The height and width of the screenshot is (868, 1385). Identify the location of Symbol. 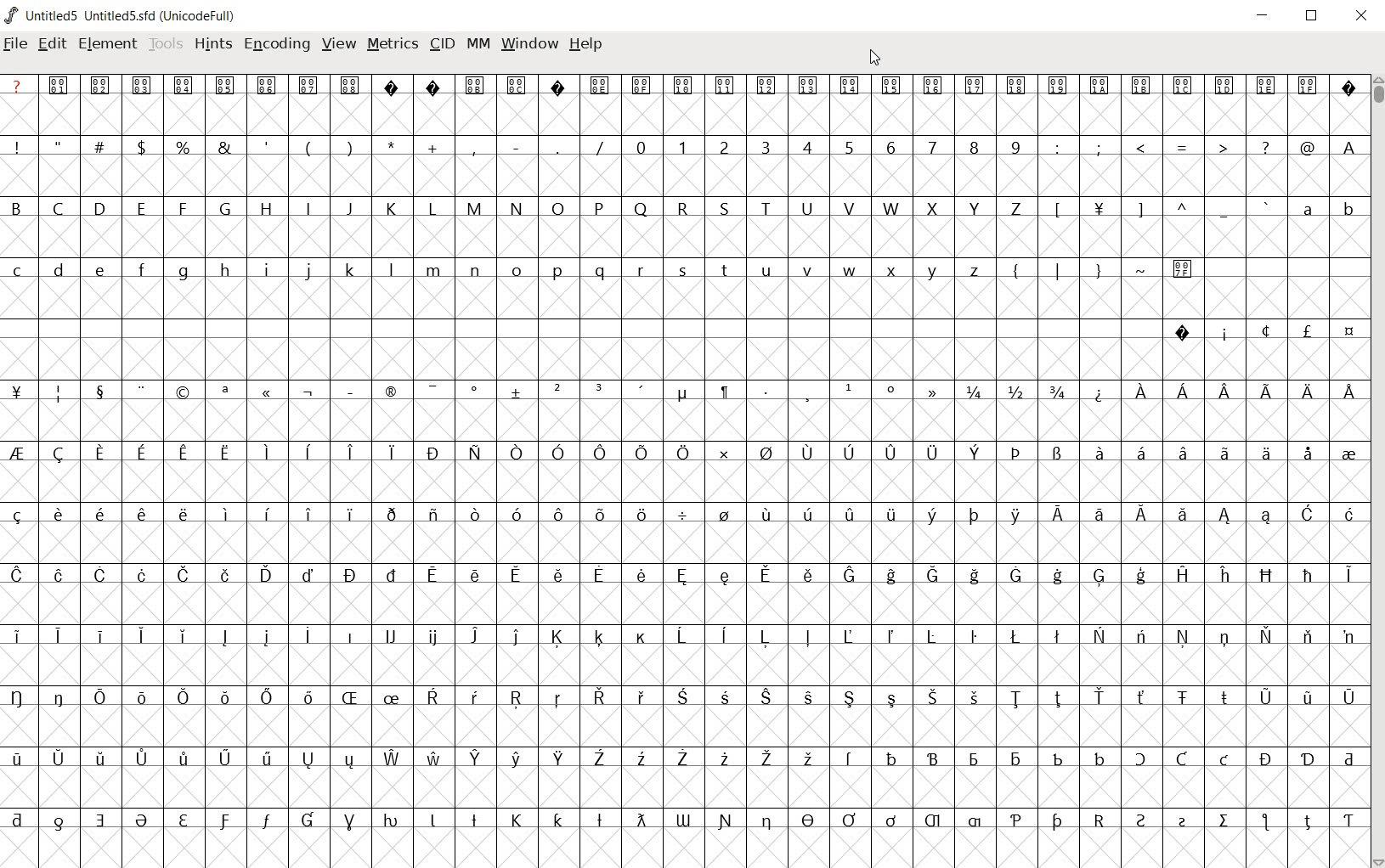
(478, 697).